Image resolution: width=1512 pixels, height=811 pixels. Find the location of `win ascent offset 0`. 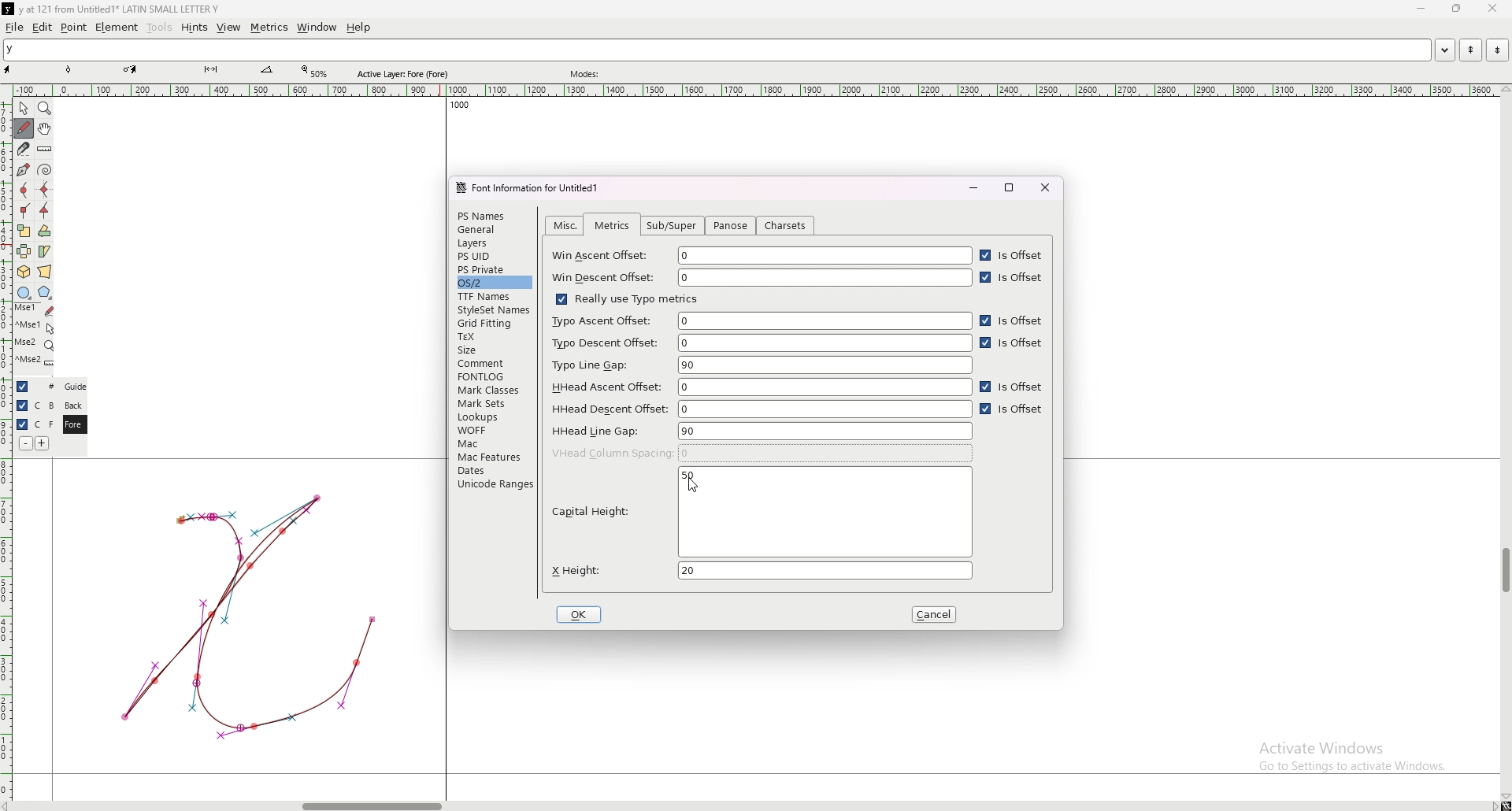

win ascent offset 0 is located at coordinates (762, 256).